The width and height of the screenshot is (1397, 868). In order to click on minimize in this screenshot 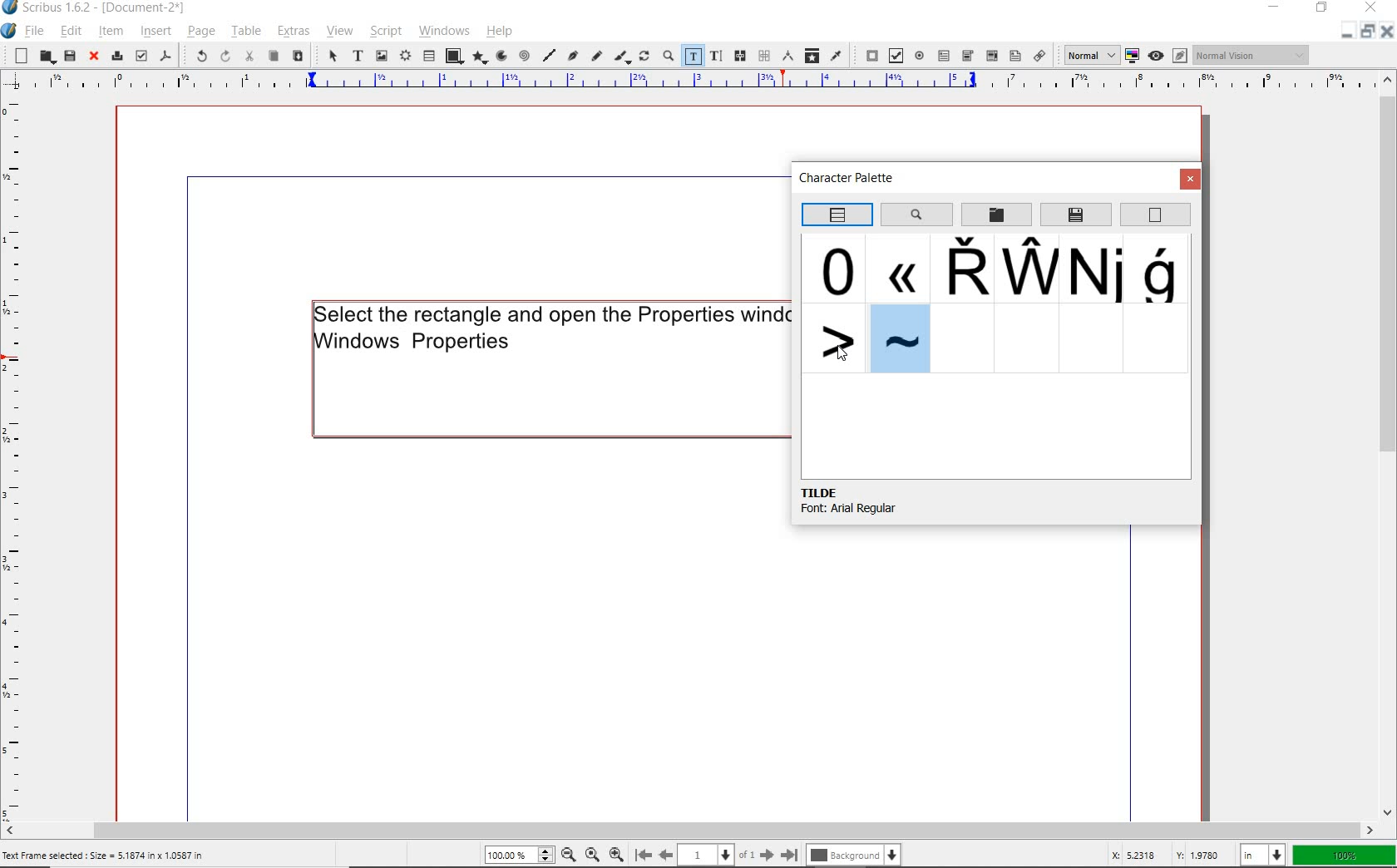, I will do `click(1276, 6)`.